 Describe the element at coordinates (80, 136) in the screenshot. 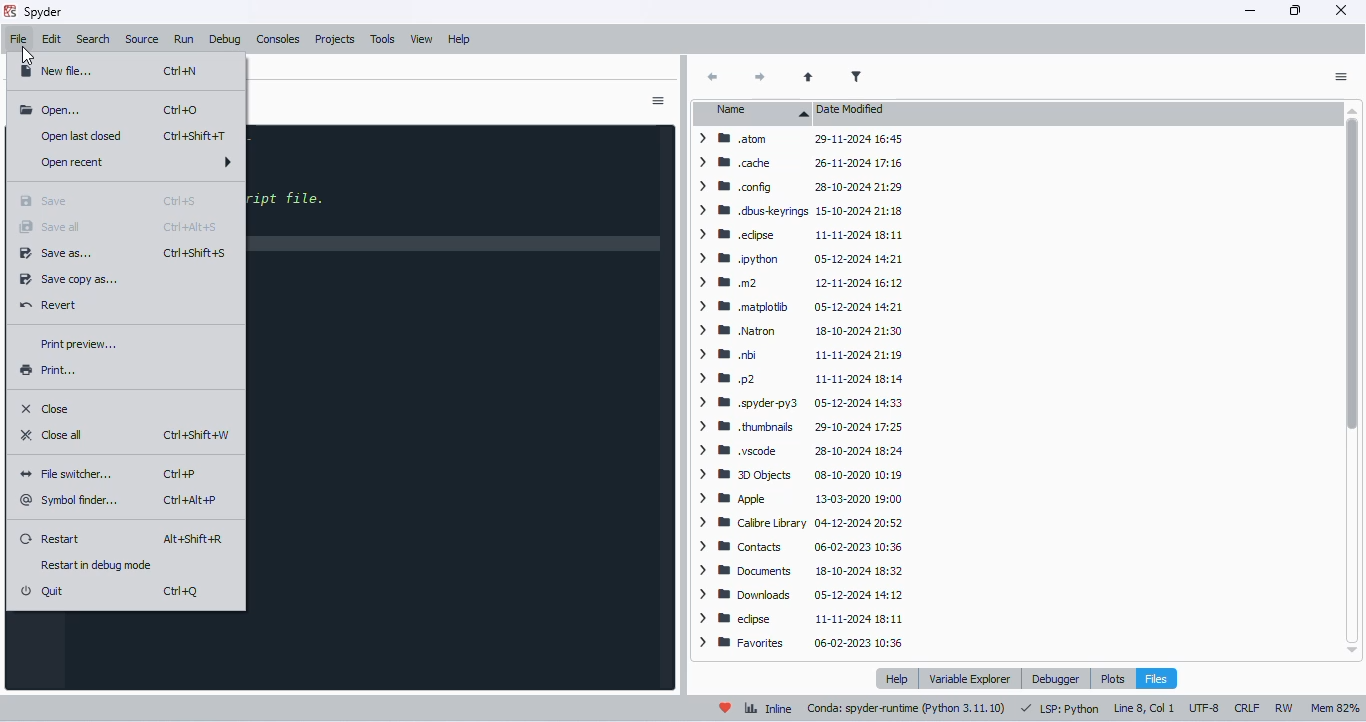

I see `open last closed` at that location.